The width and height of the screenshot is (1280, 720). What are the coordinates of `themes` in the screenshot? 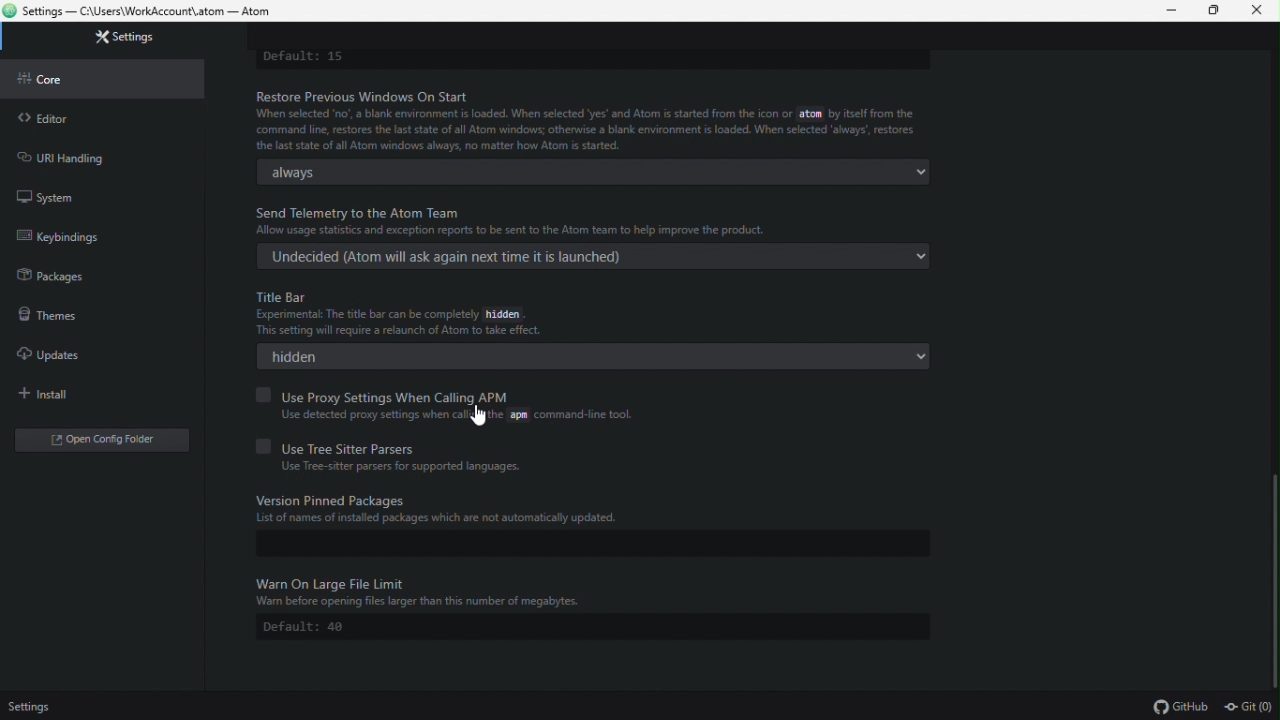 It's located at (100, 312).